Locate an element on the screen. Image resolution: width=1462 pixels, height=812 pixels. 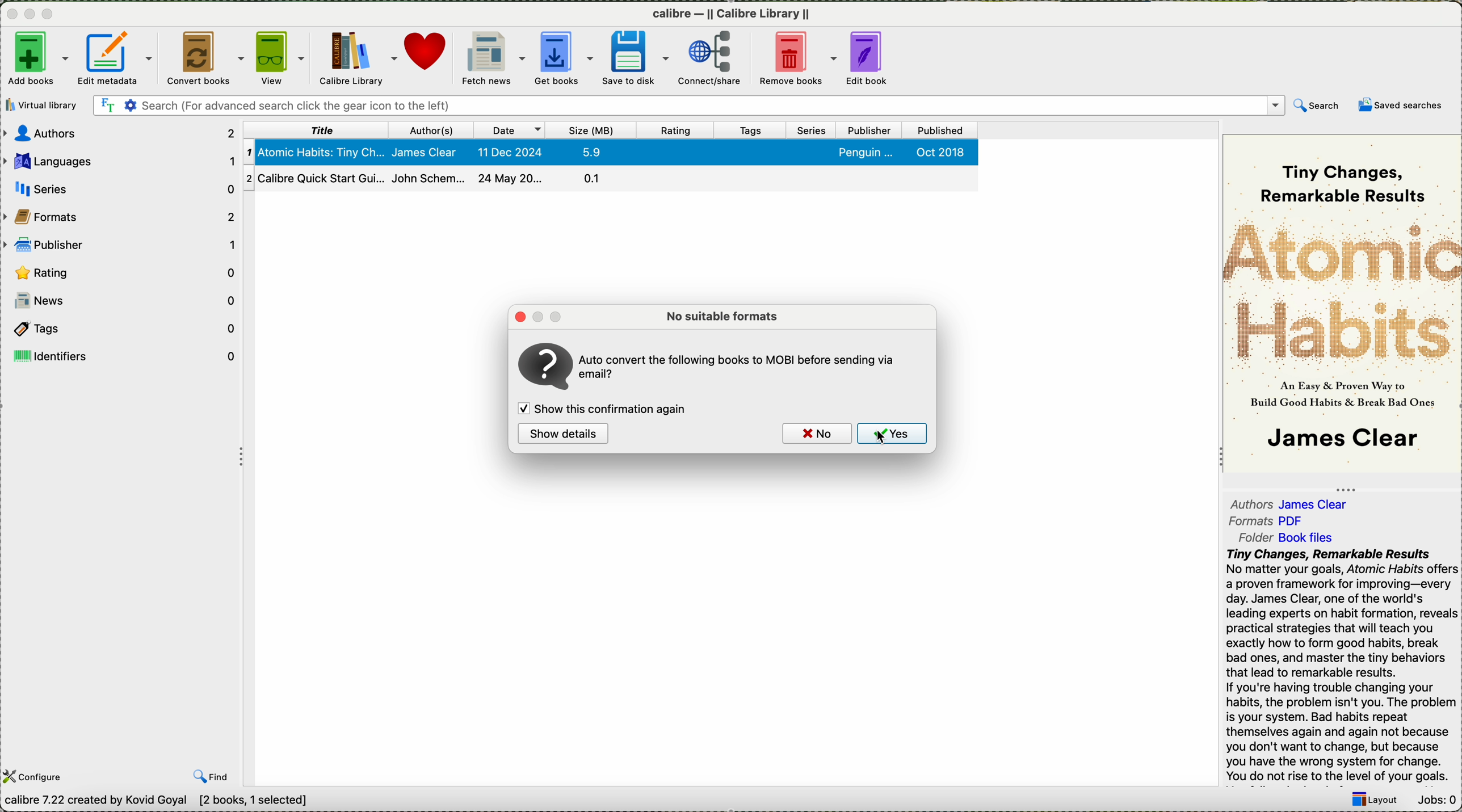
Jobs: 0 is located at coordinates (1438, 801).